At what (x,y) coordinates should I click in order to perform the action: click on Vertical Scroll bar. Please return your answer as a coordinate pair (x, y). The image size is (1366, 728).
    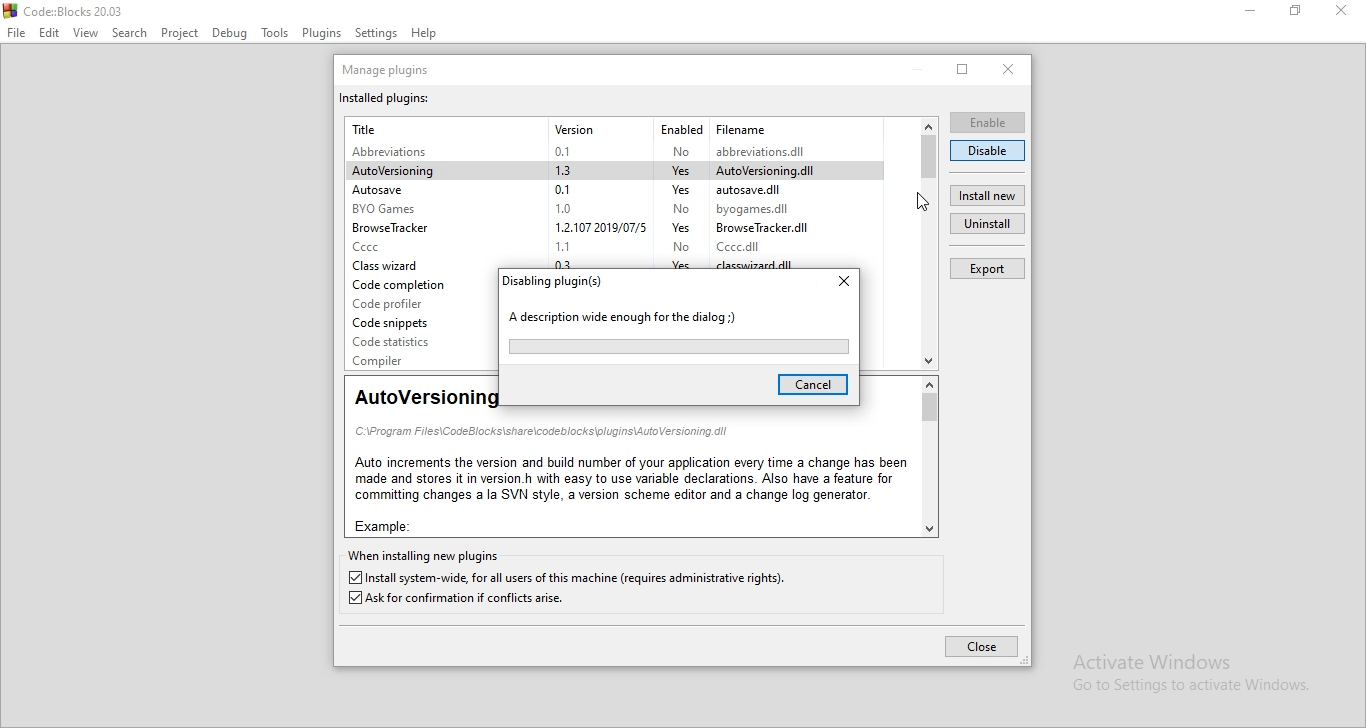
    Looking at the image, I should click on (929, 407).